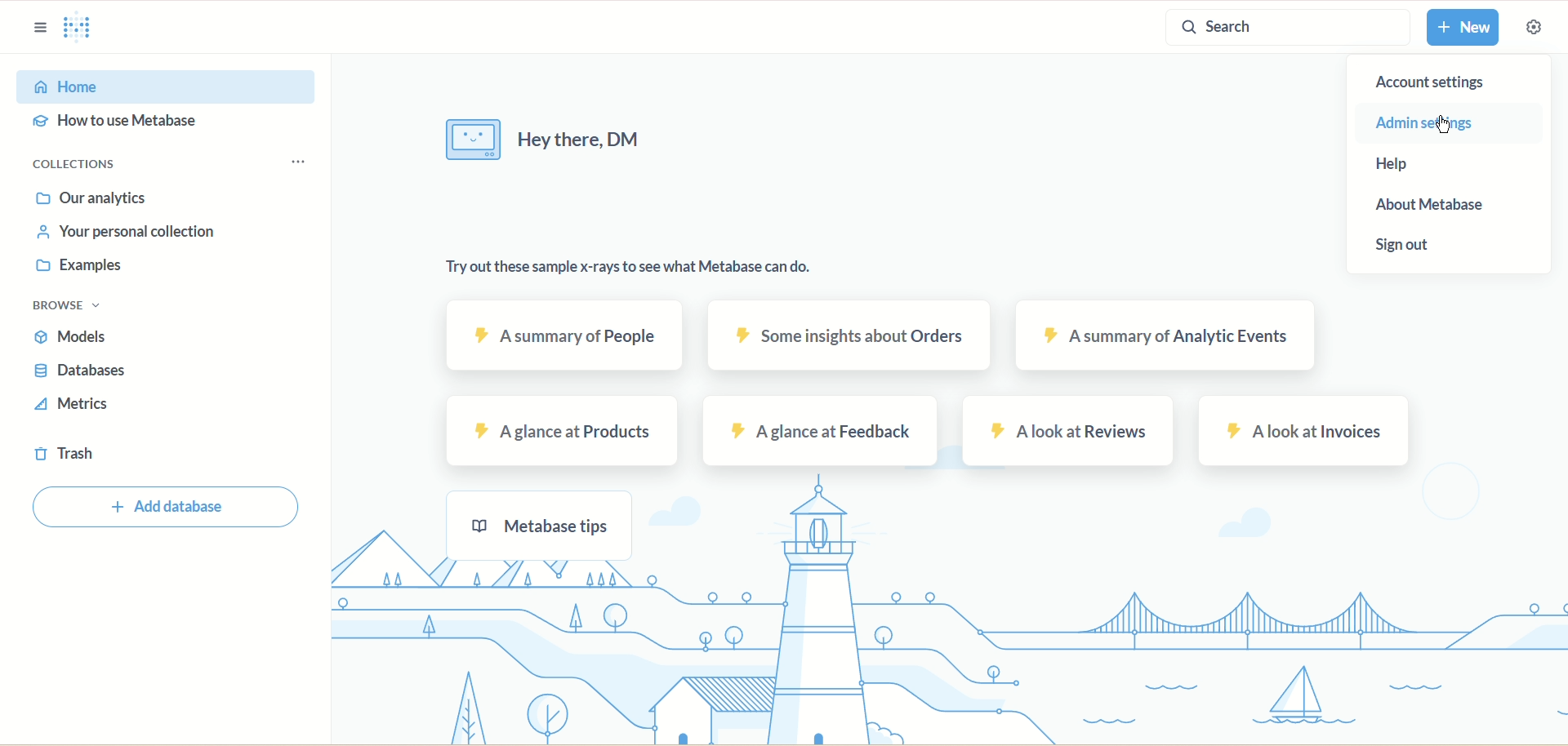 Image resolution: width=1568 pixels, height=746 pixels. I want to click on Admin settings, so click(1466, 123).